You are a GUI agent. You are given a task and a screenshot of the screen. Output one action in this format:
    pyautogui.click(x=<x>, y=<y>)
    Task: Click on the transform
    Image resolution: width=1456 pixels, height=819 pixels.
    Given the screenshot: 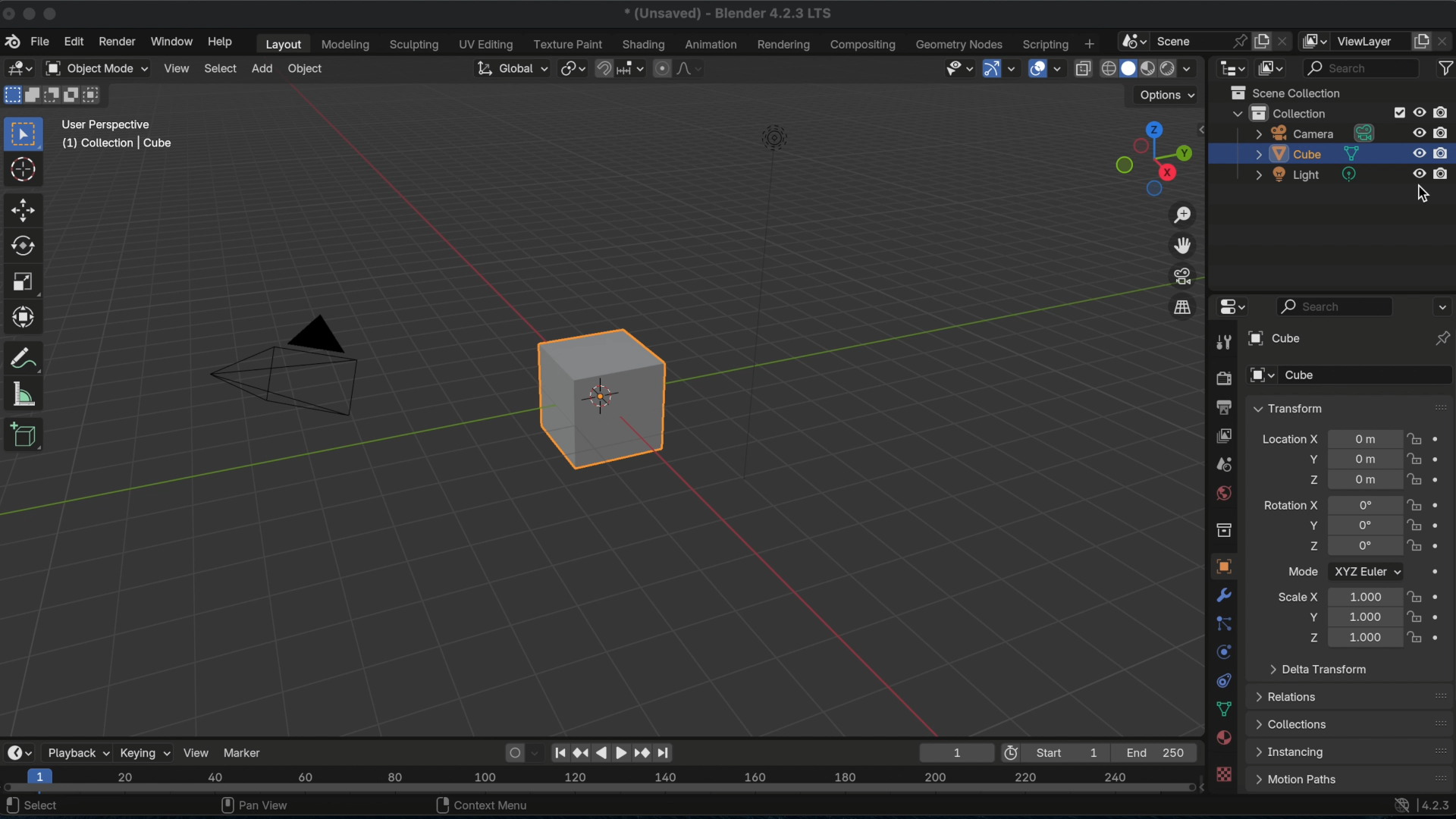 What is the action you would take?
    pyautogui.click(x=25, y=315)
    